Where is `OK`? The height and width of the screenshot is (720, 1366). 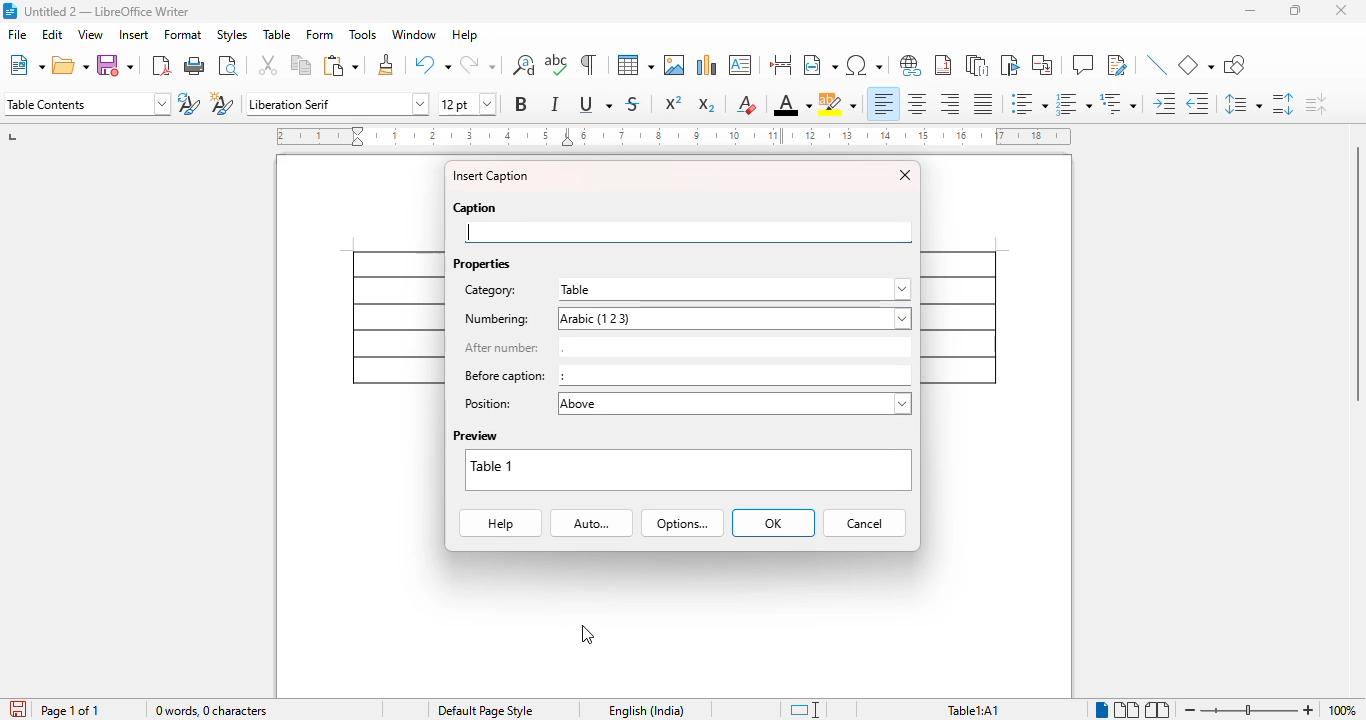
OK is located at coordinates (773, 523).